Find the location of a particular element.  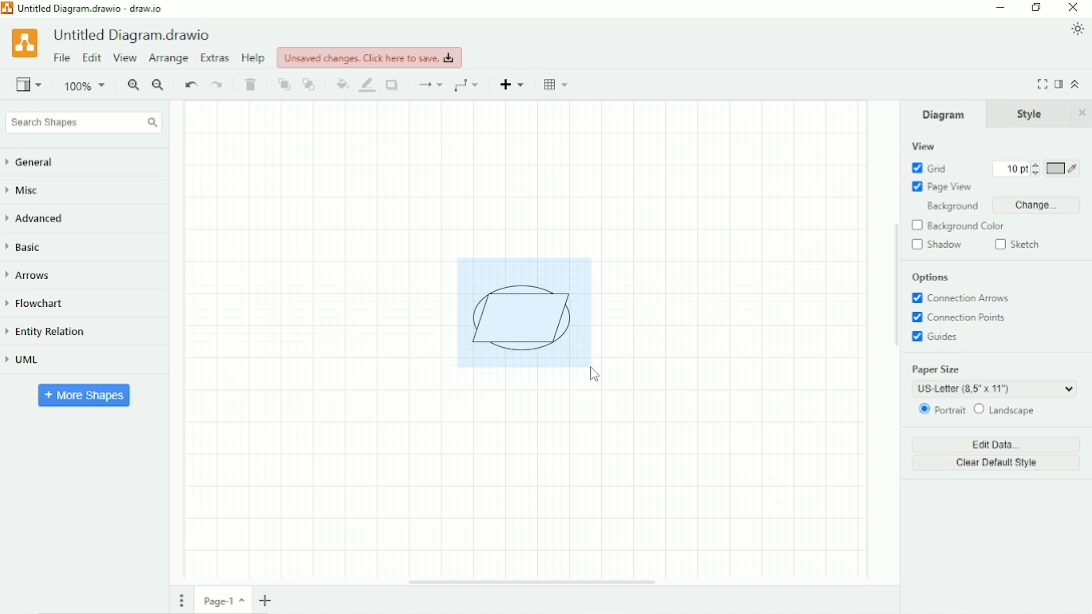

Delete is located at coordinates (253, 85).